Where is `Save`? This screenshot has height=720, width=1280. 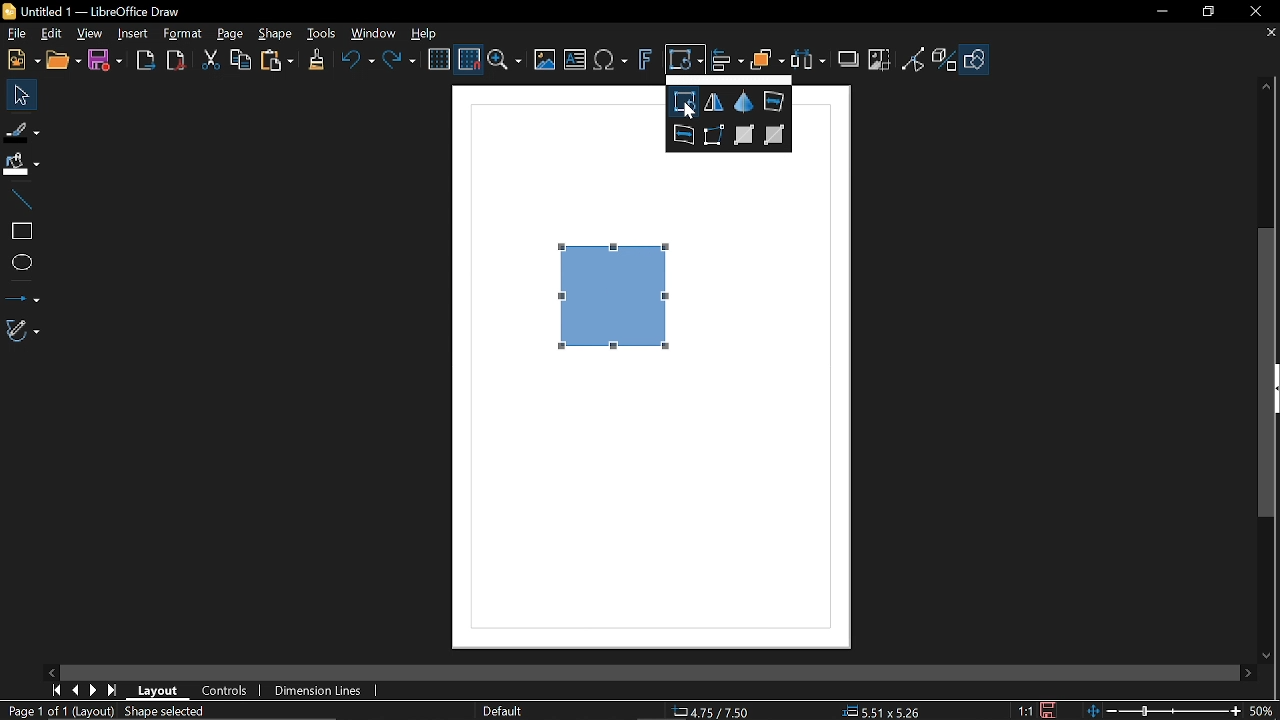
Save is located at coordinates (1046, 710).